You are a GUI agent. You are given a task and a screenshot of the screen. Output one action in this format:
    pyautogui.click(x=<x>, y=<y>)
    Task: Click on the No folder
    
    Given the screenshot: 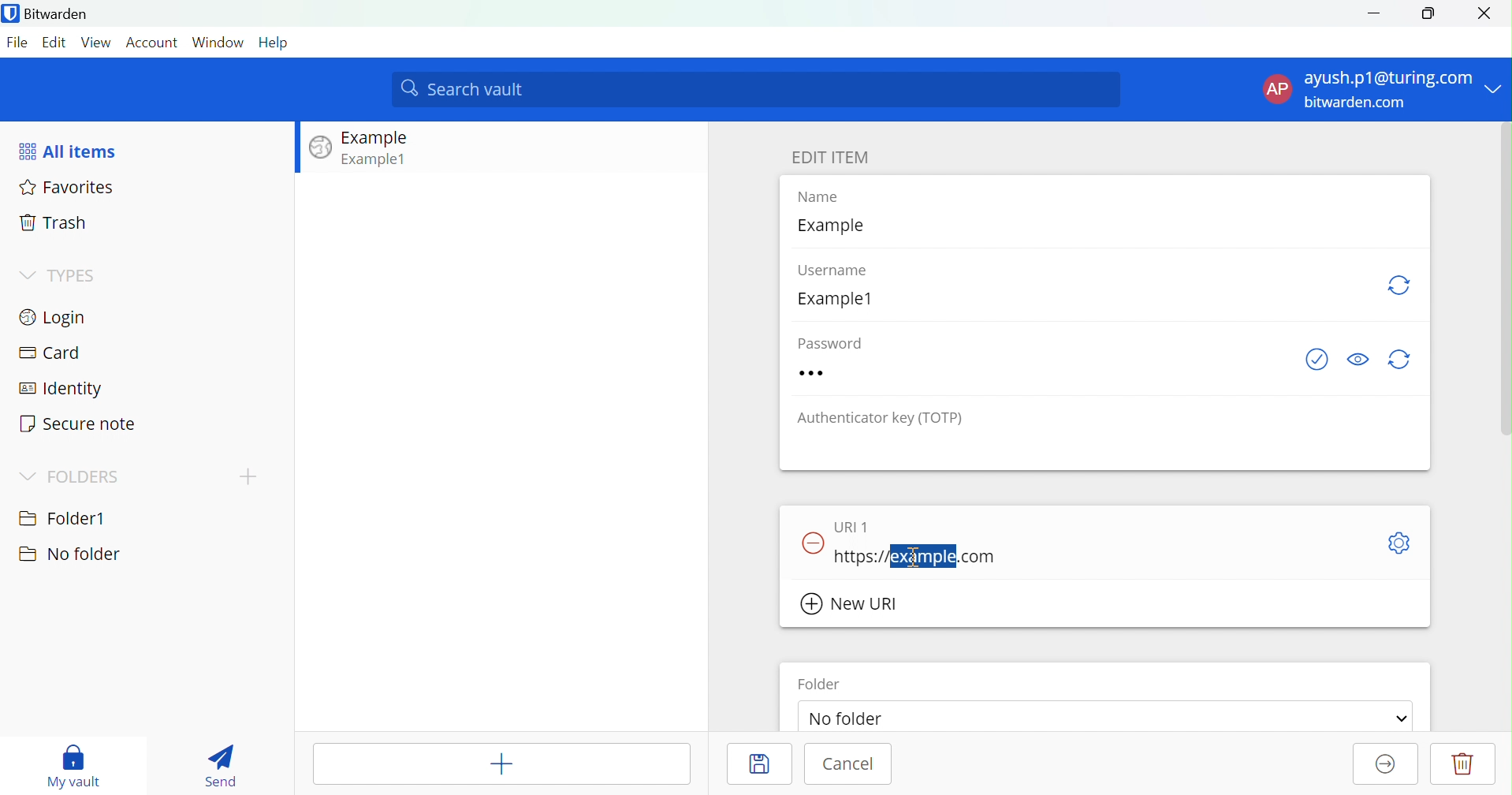 What is the action you would take?
    pyautogui.click(x=69, y=554)
    